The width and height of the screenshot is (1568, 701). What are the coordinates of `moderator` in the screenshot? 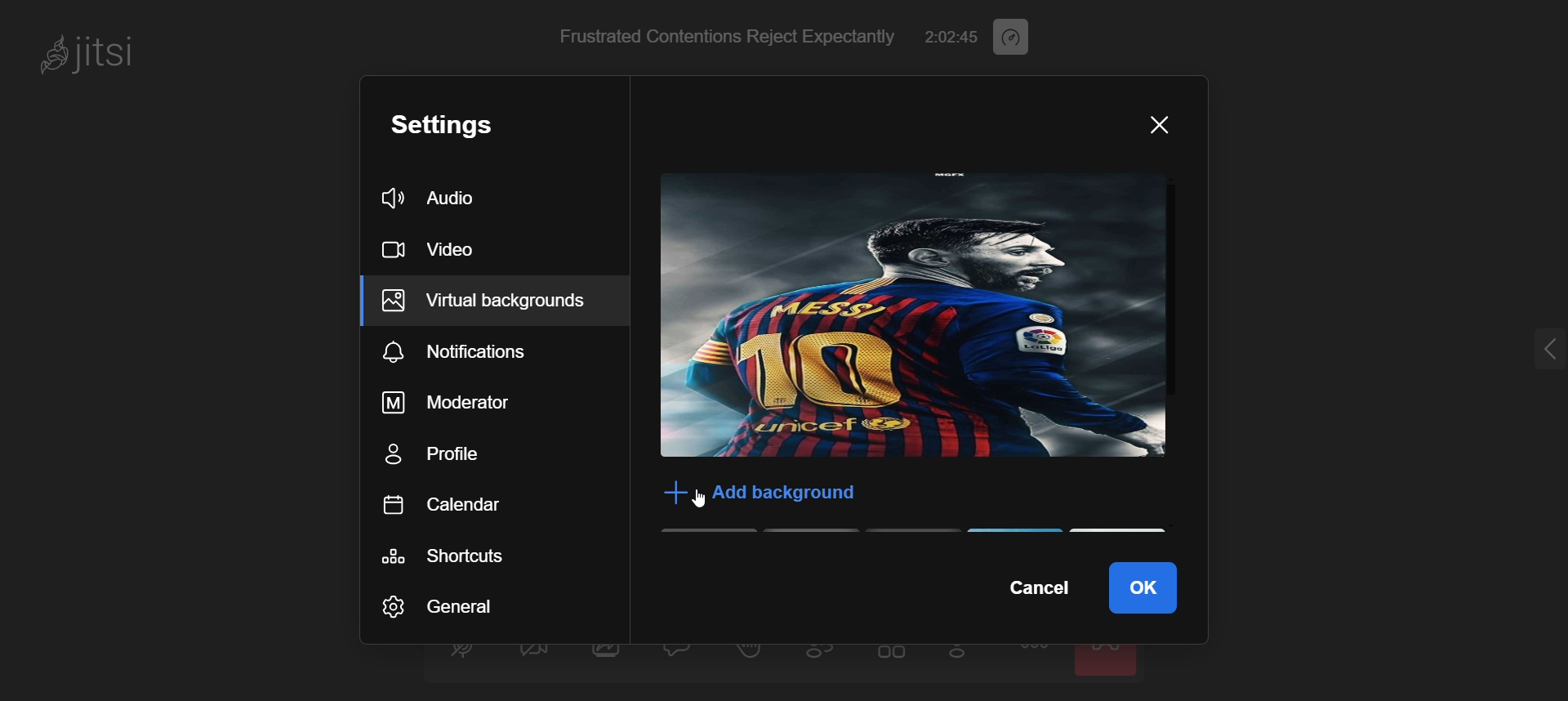 It's located at (476, 403).